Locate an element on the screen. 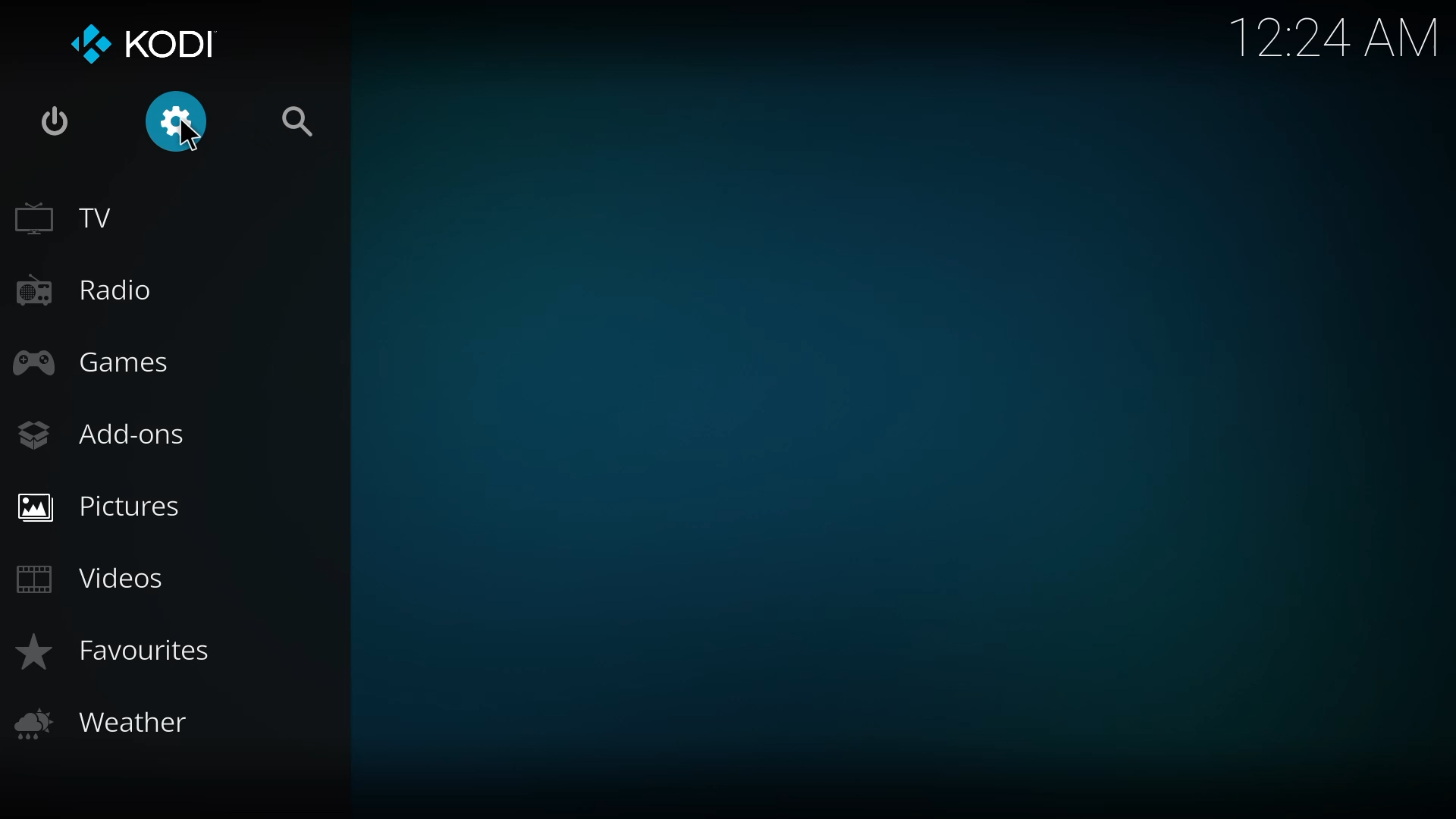 The image size is (1456, 819). games is located at coordinates (96, 359).